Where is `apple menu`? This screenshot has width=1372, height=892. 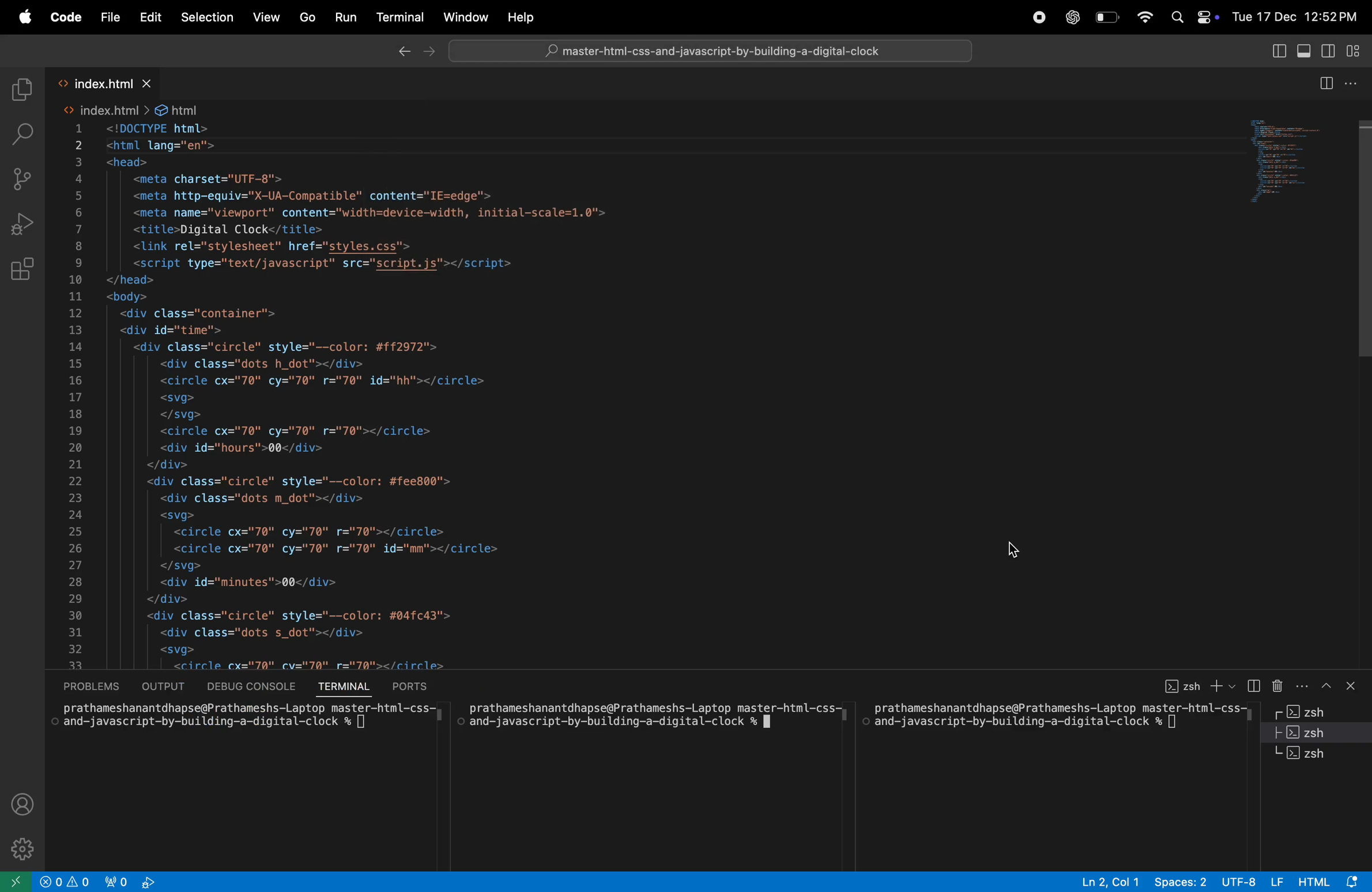 apple menu is located at coordinates (24, 18).